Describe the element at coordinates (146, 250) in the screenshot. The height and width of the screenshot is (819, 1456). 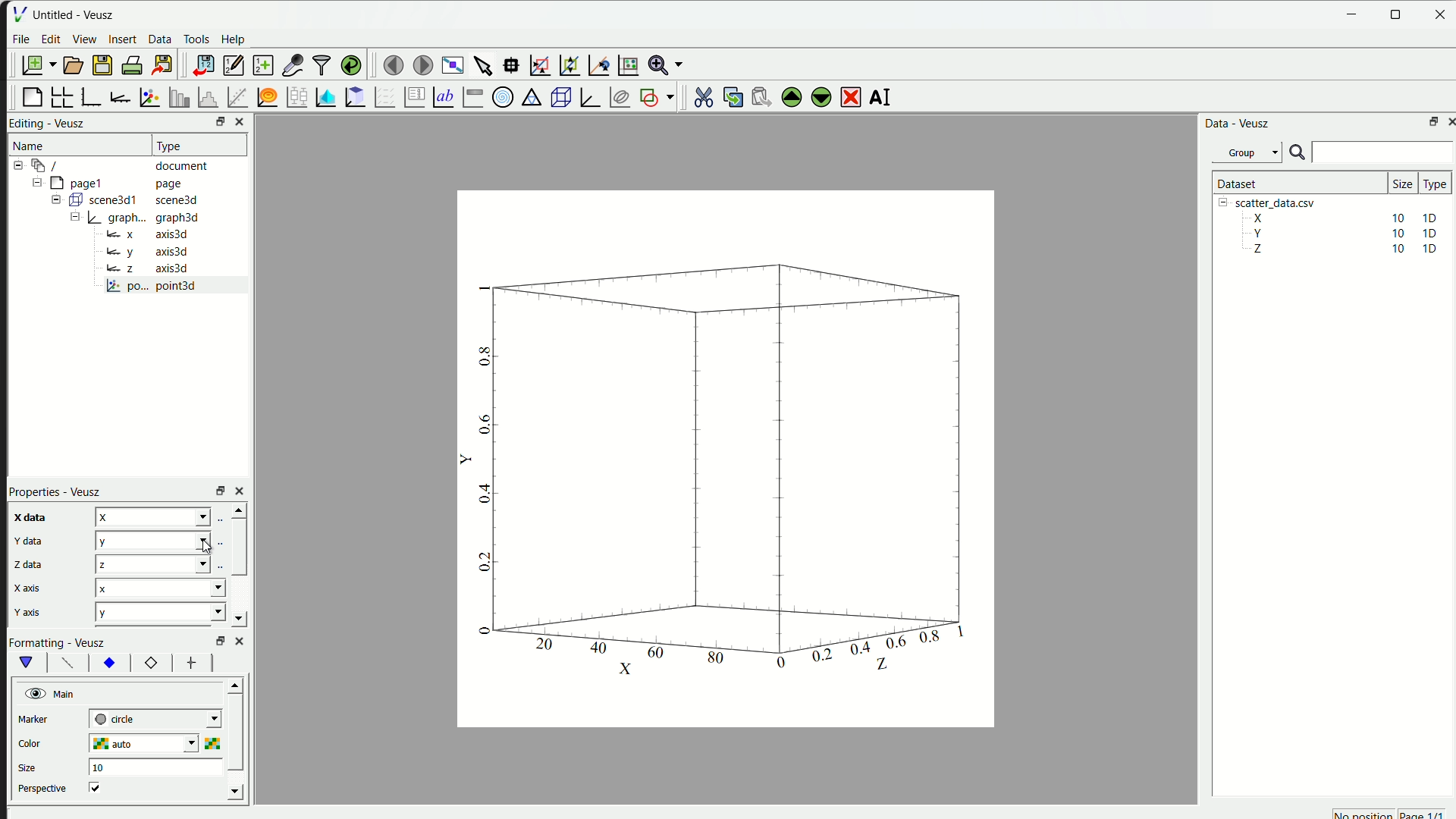
I see `y axis3d` at that location.